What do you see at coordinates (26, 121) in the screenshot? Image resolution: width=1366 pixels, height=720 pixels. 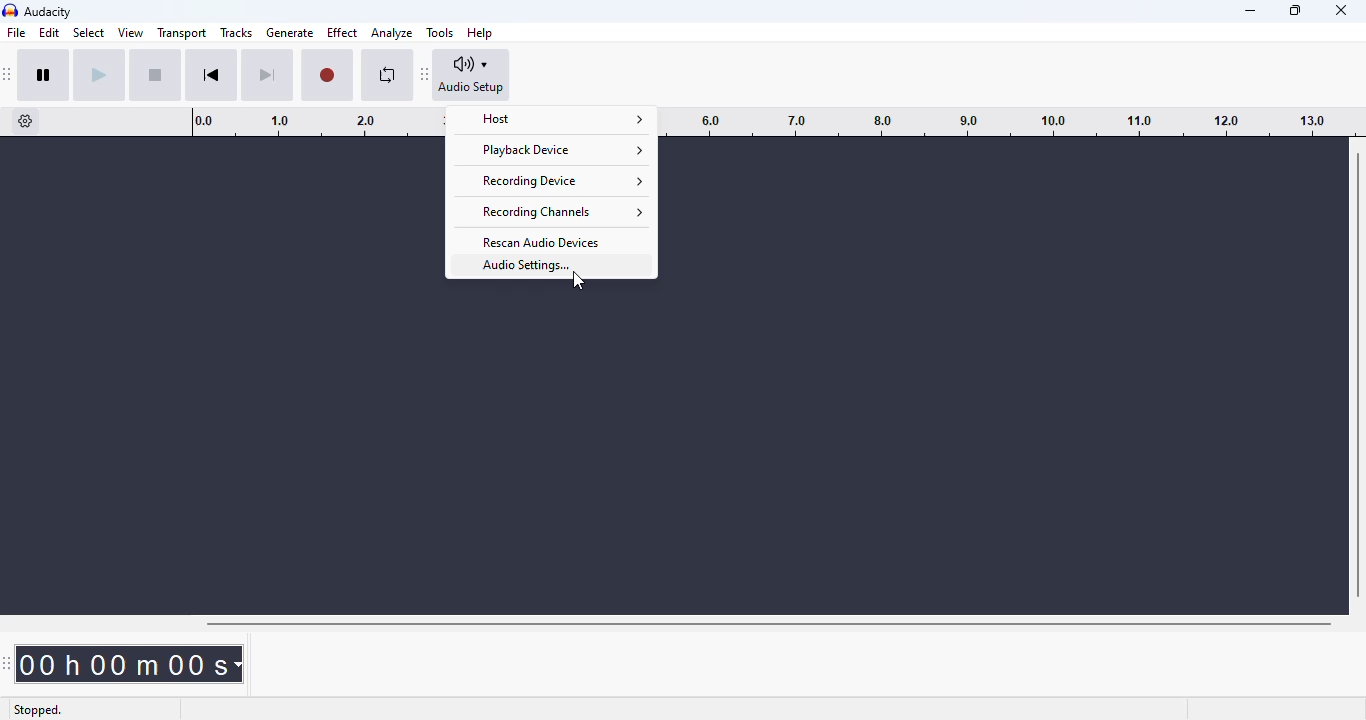 I see `timeline options` at bounding box center [26, 121].